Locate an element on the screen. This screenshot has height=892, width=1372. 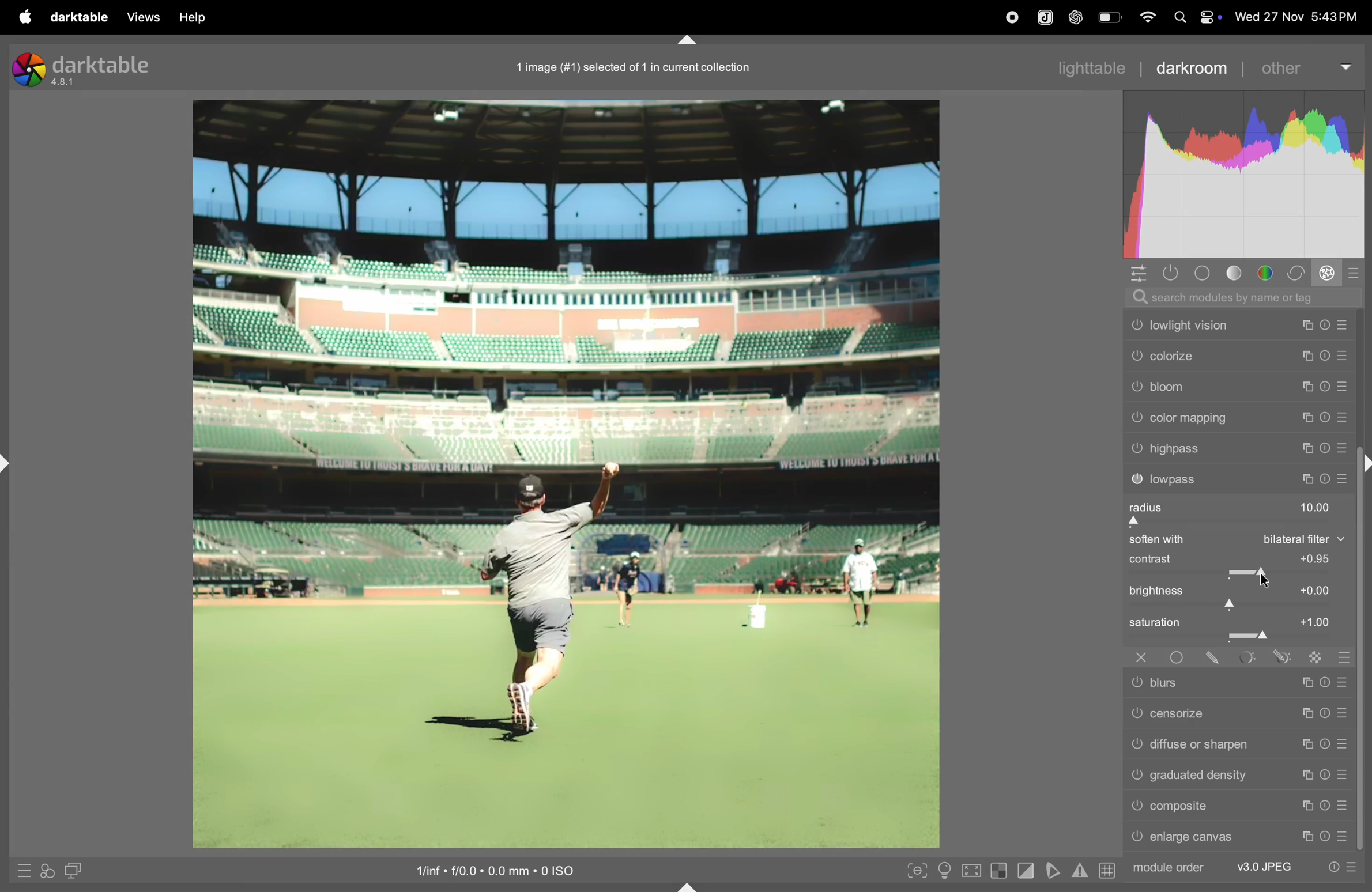
help is located at coordinates (191, 18).